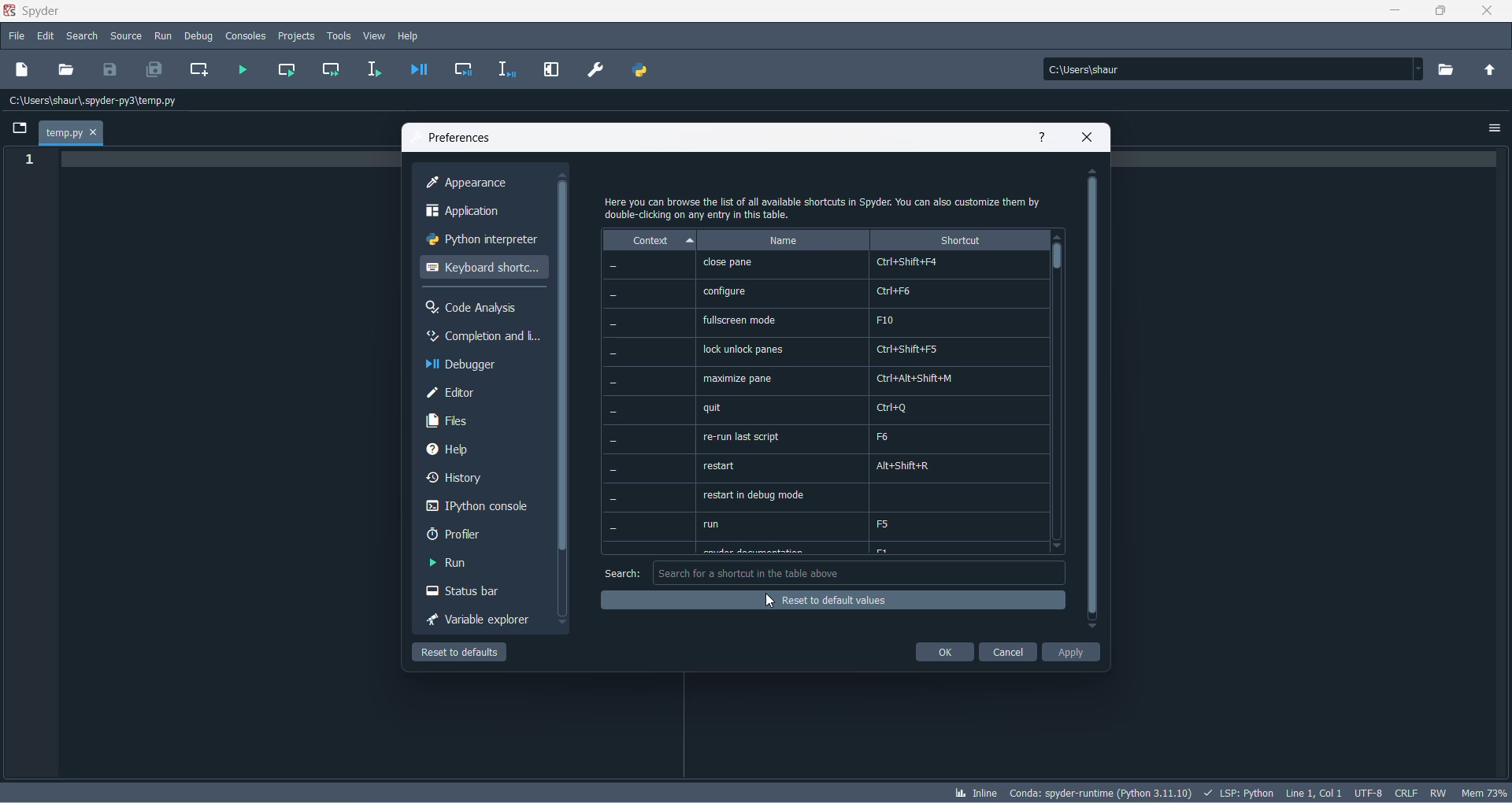 The image size is (1512, 803). Describe the element at coordinates (783, 403) in the screenshot. I see `name options` at that location.